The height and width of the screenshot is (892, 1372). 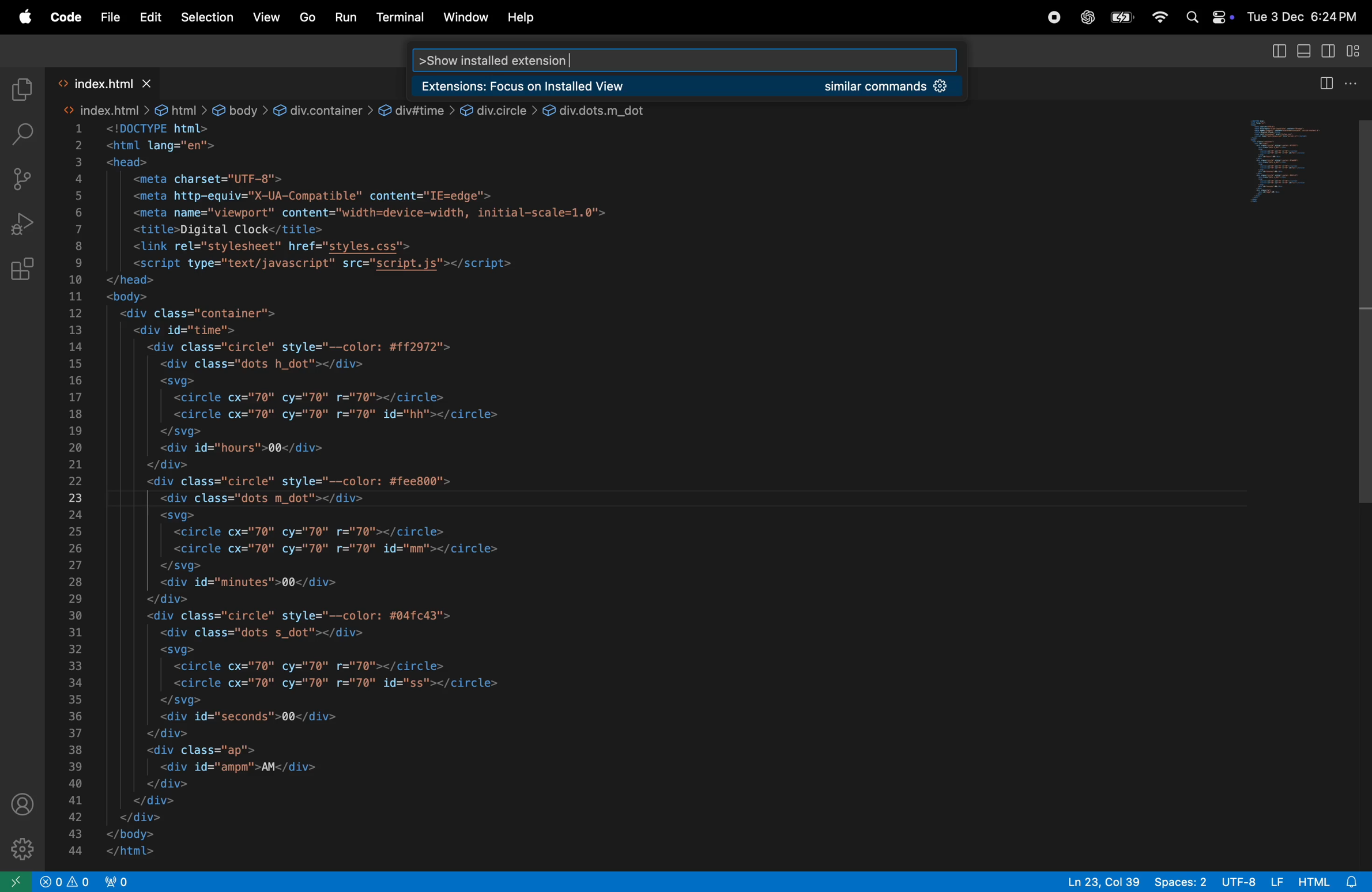 What do you see at coordinates (18, 848) in the screenshot?
I see `setting` at bounding box center [18, 848].